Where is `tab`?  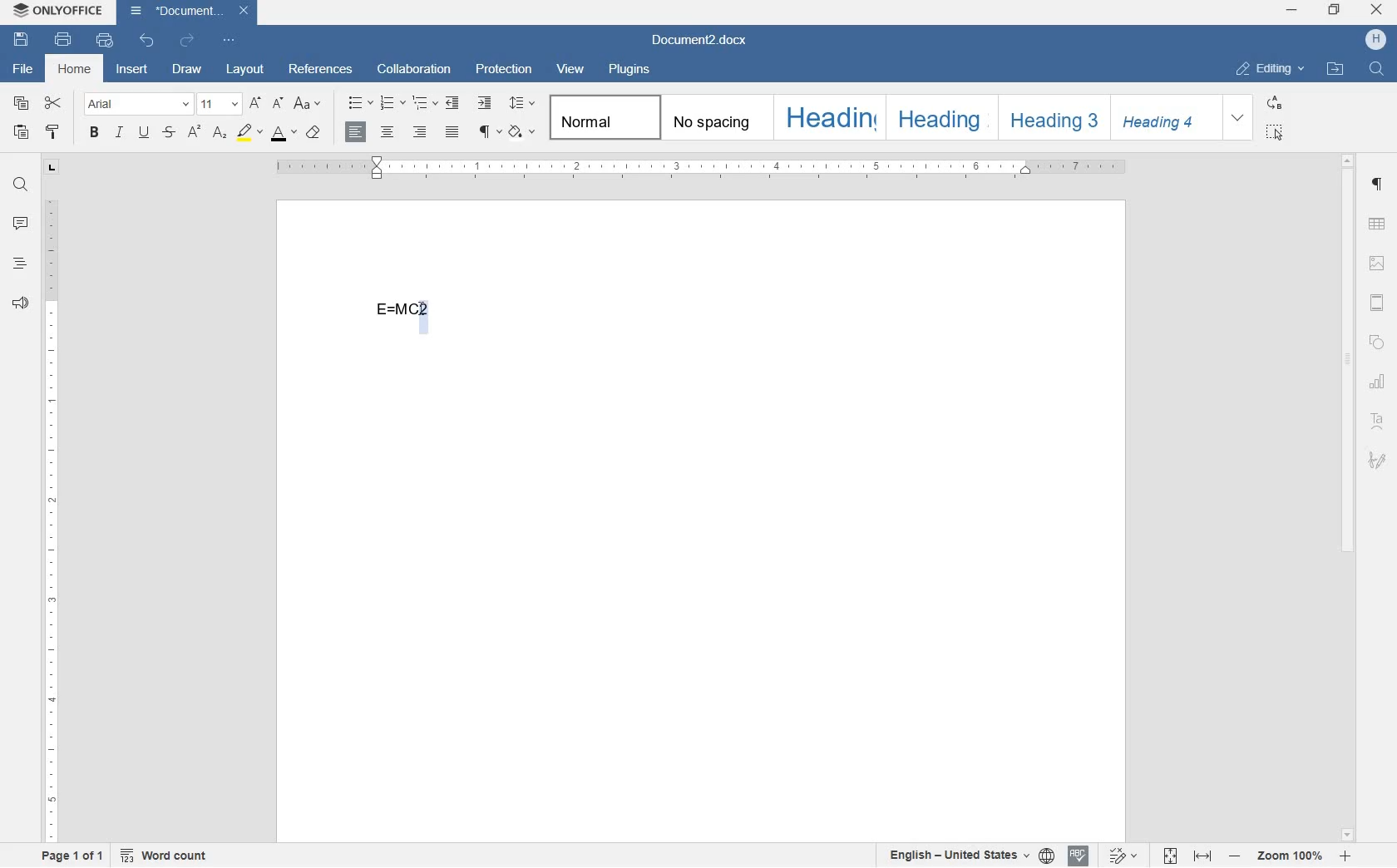
tab is located at coordinates (51, 165).